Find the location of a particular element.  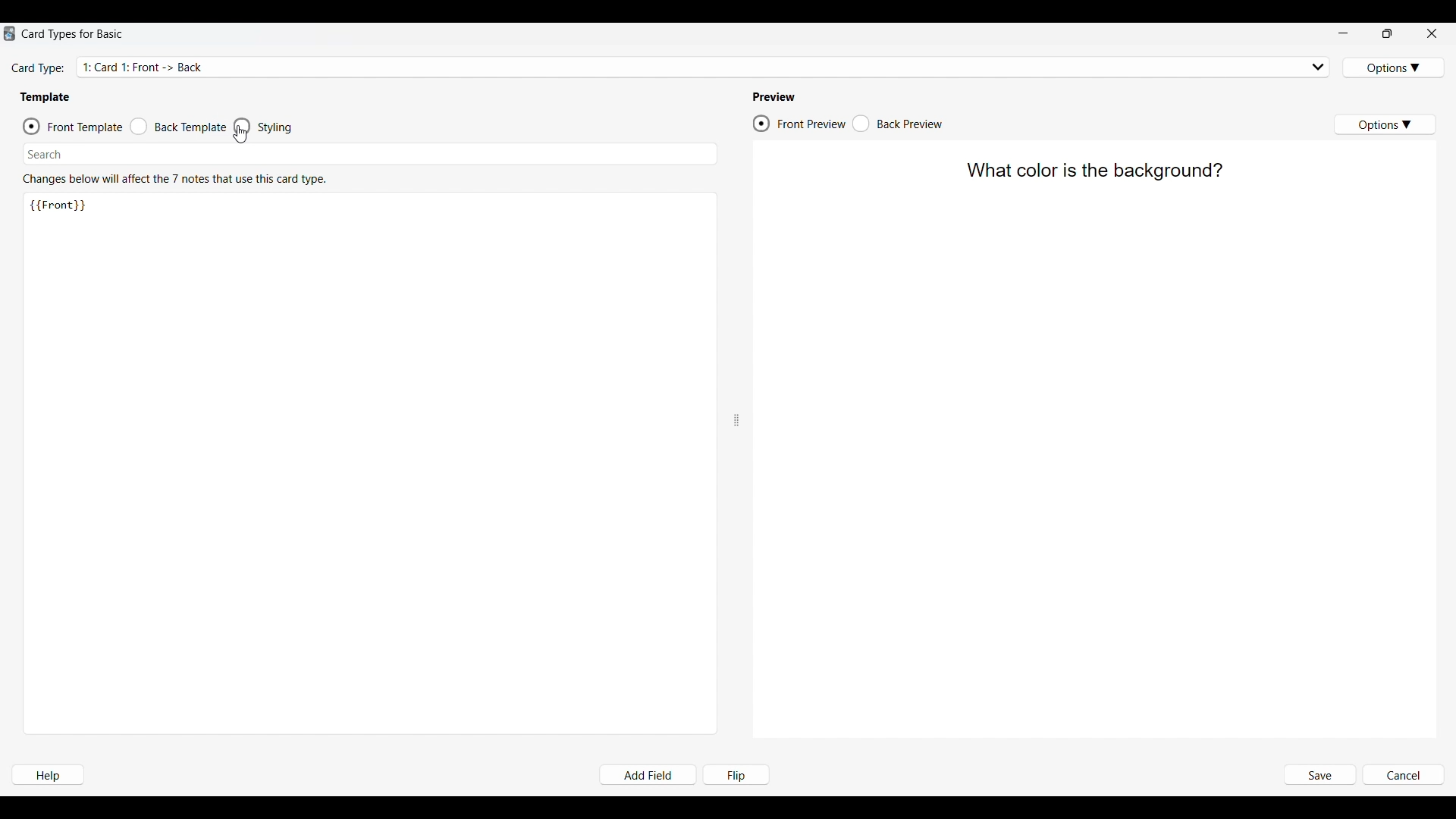

Cancel is located at coordinates (1403, 776).